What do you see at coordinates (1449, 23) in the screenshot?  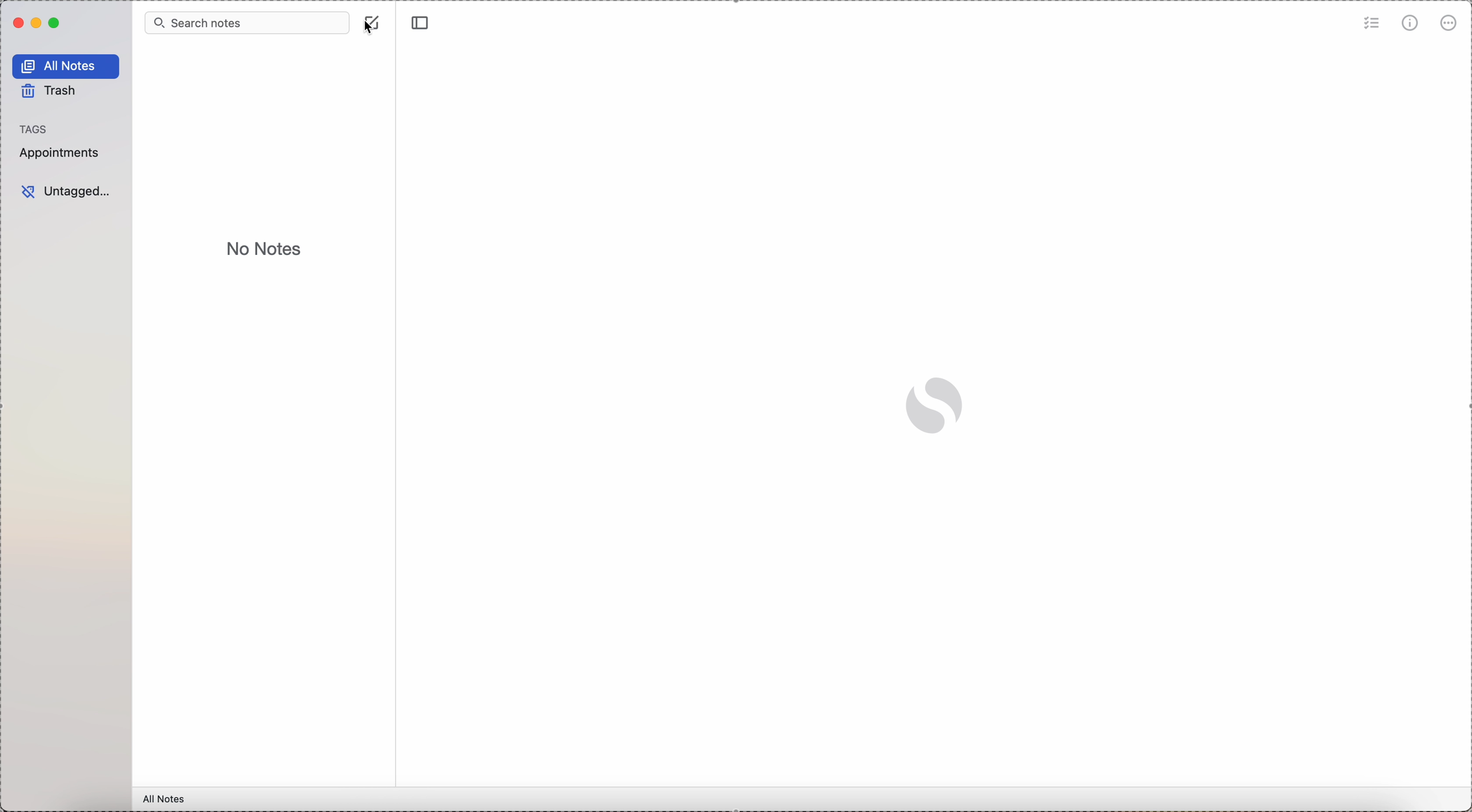 I see `more options` at bounding box center [1449, 23].